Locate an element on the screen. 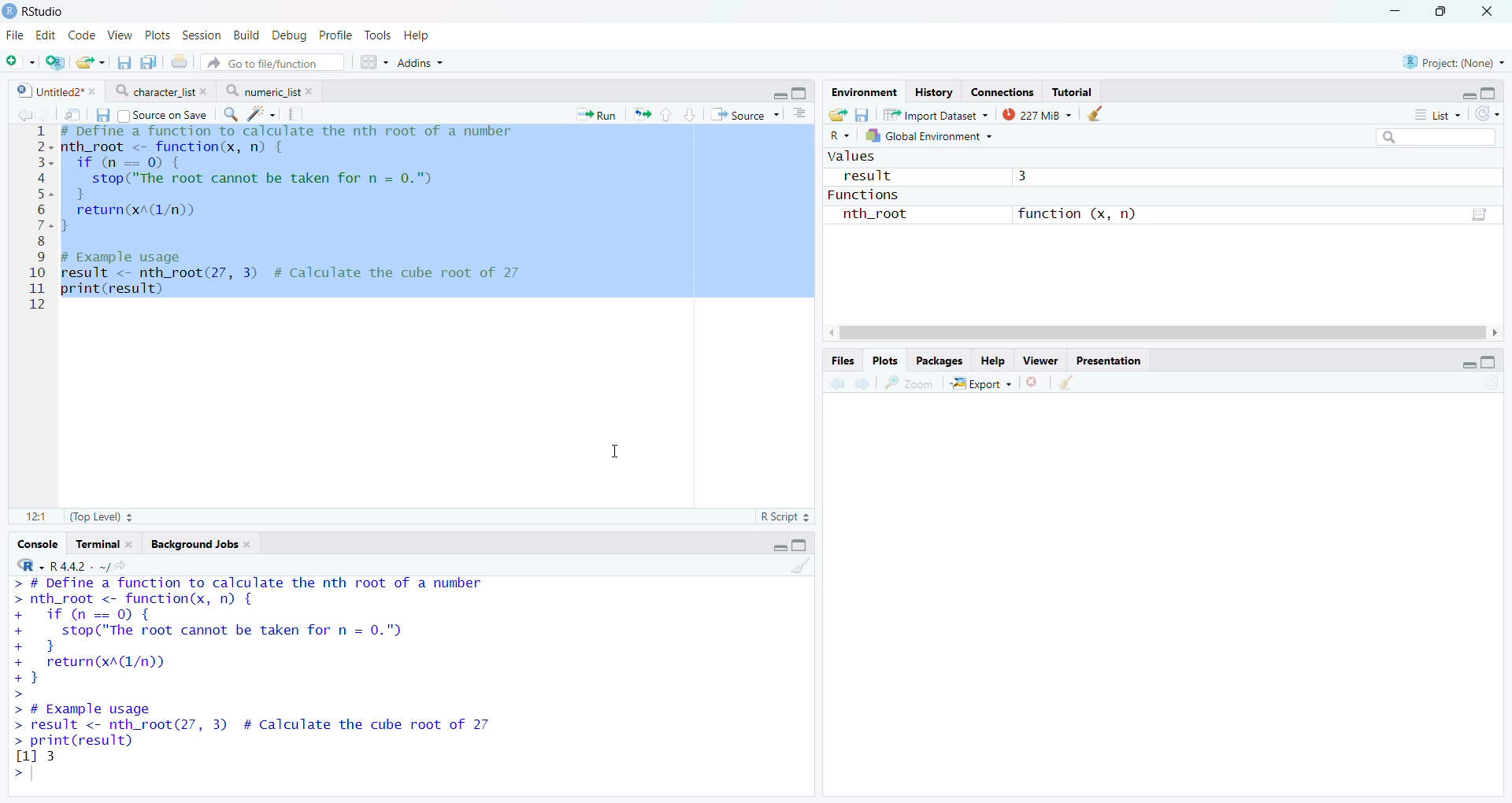  R is located at coordinates (841, 135).